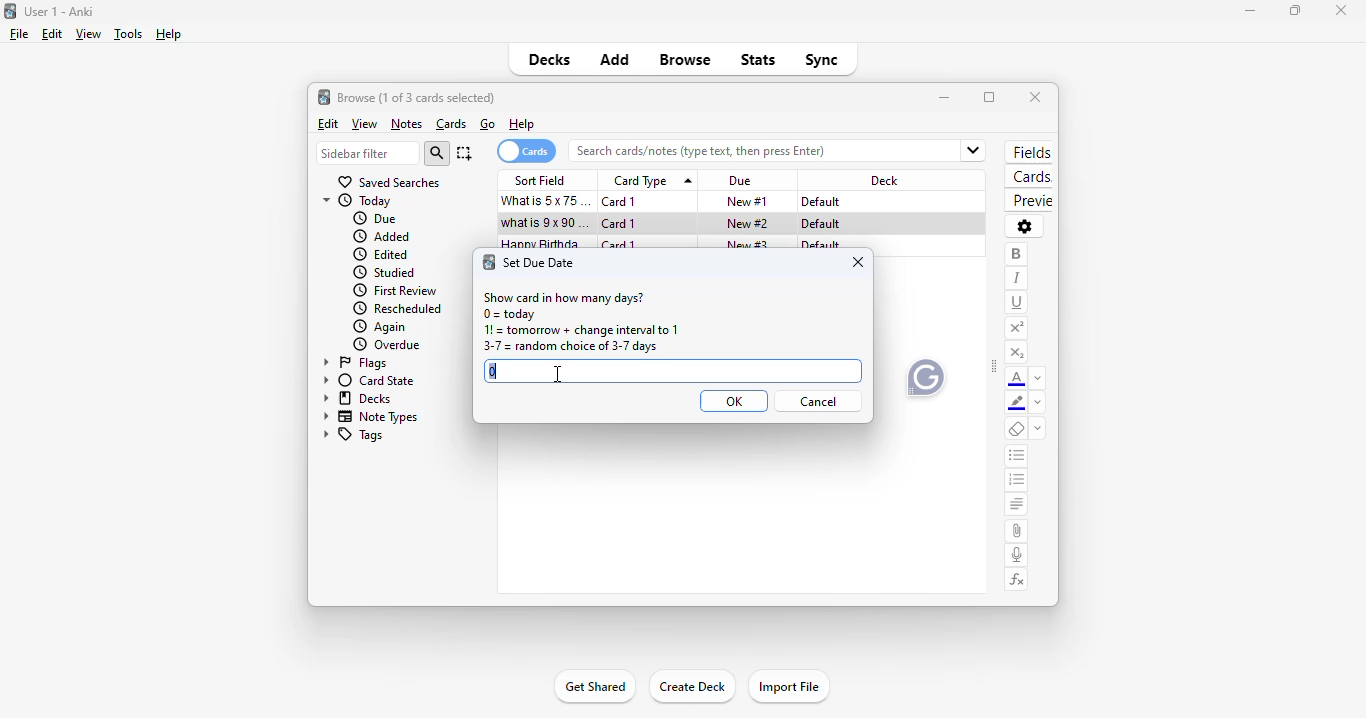 The height and width of the screenshot is (718, 1366). Describe the element at coordinates (416, 97) in the screenshot. I see `browse (1 of 3 cards selected)` at that location.